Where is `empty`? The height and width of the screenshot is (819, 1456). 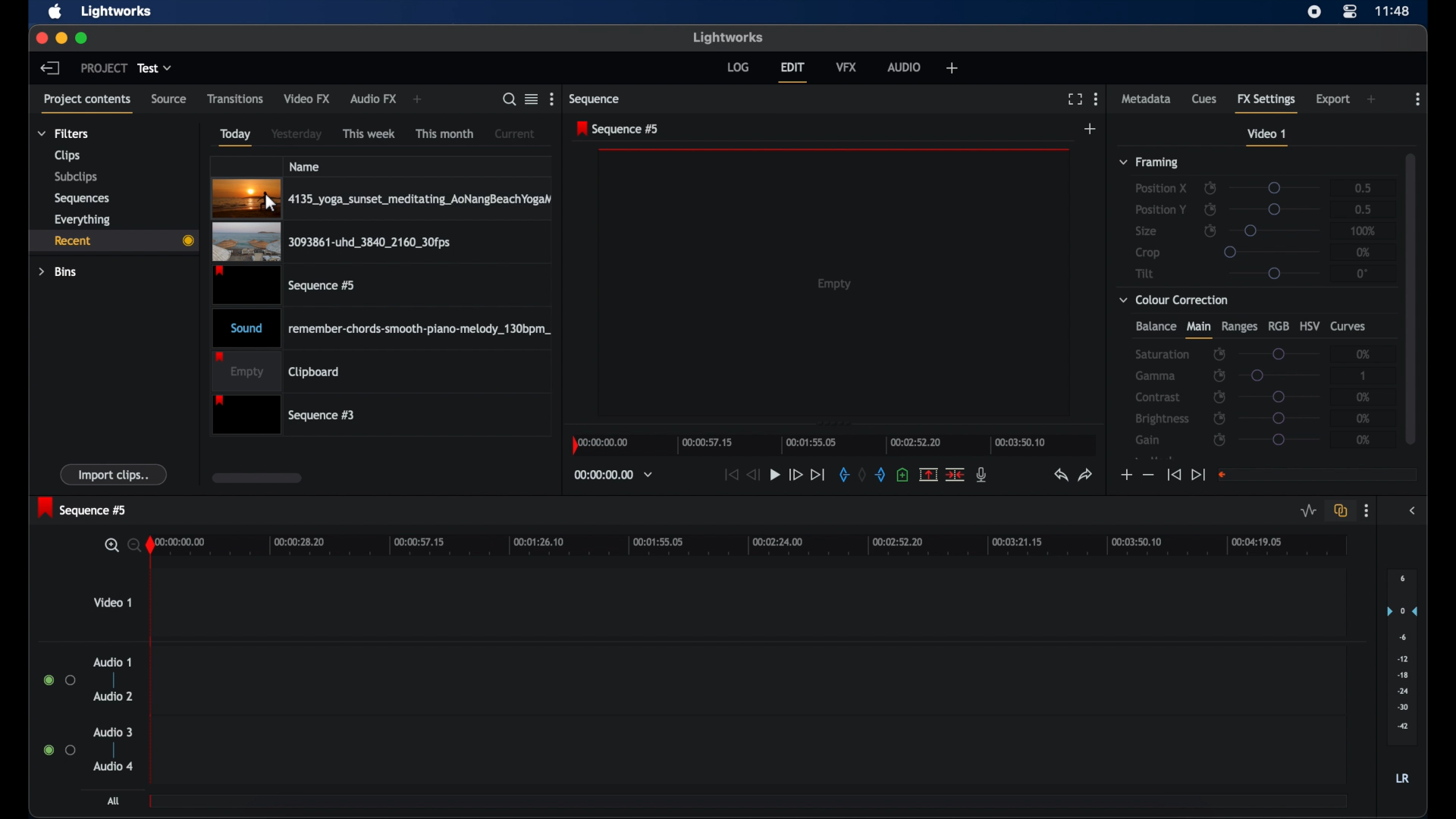 empty is located at coordinates (836, 284).